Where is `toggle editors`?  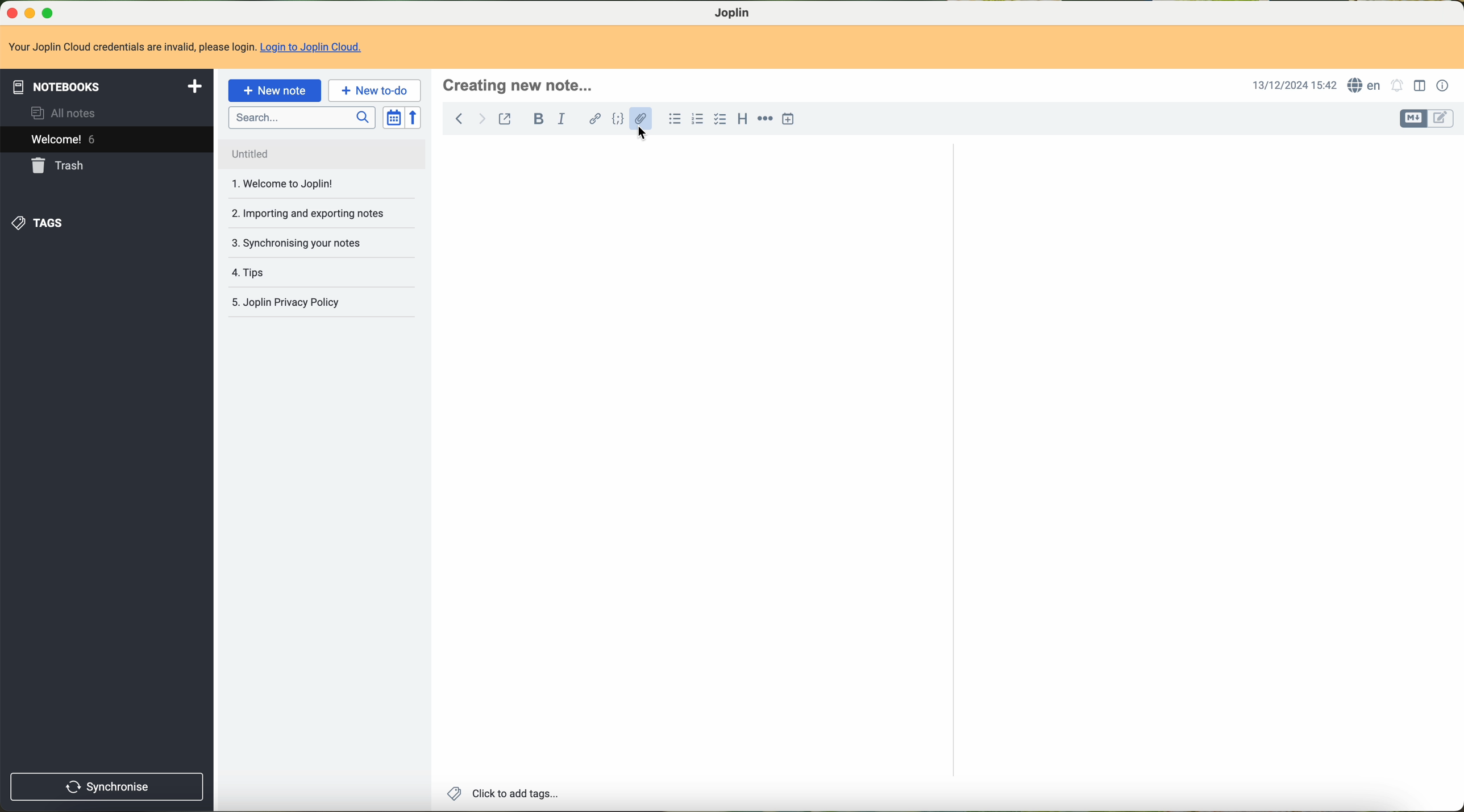
toggle editors is located at coordinates (1443, 120).